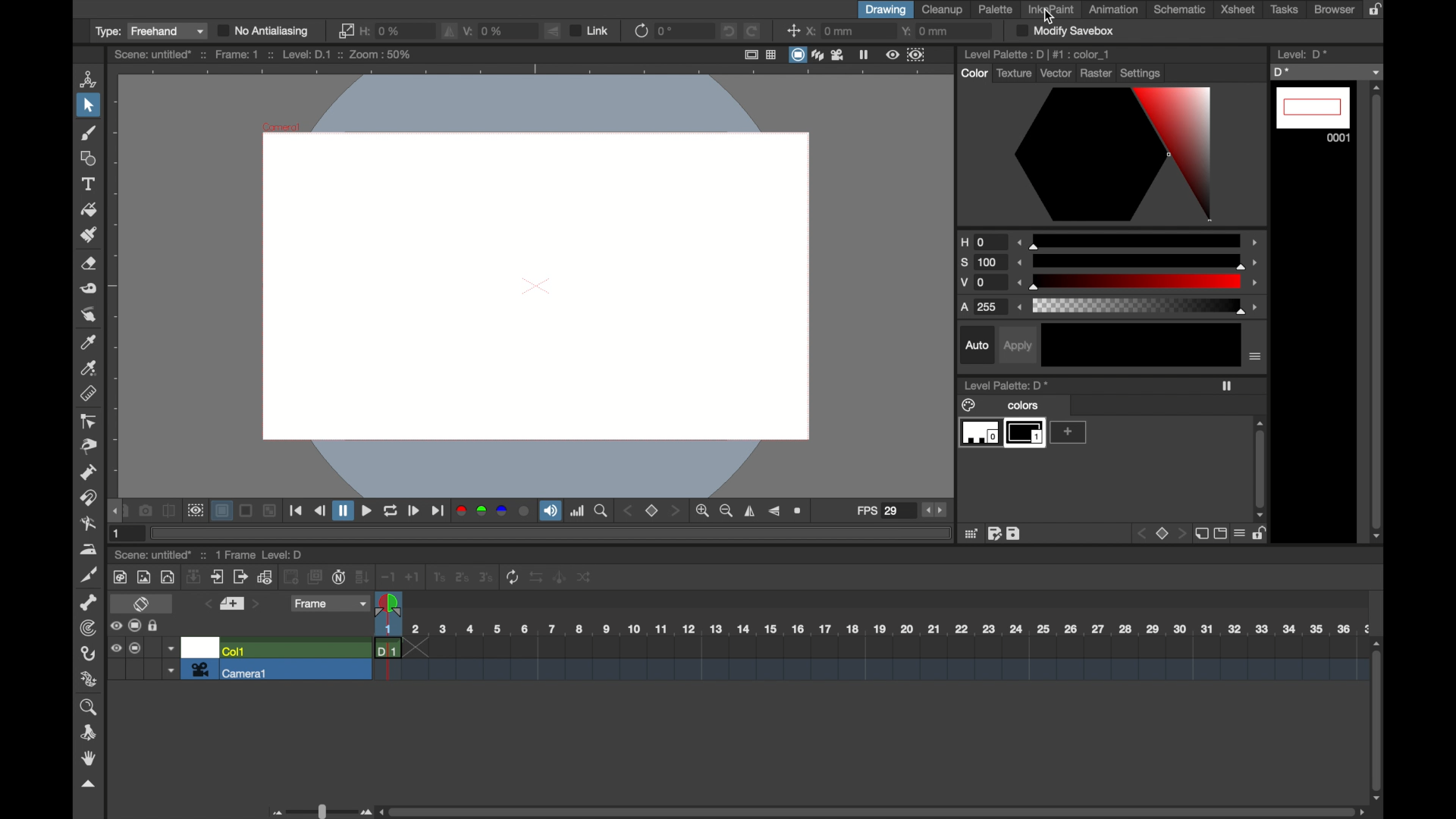 Image resolution: width=1456 pixels, height=819 pixels. I want to click on no antialiasing, so click(265, 31).